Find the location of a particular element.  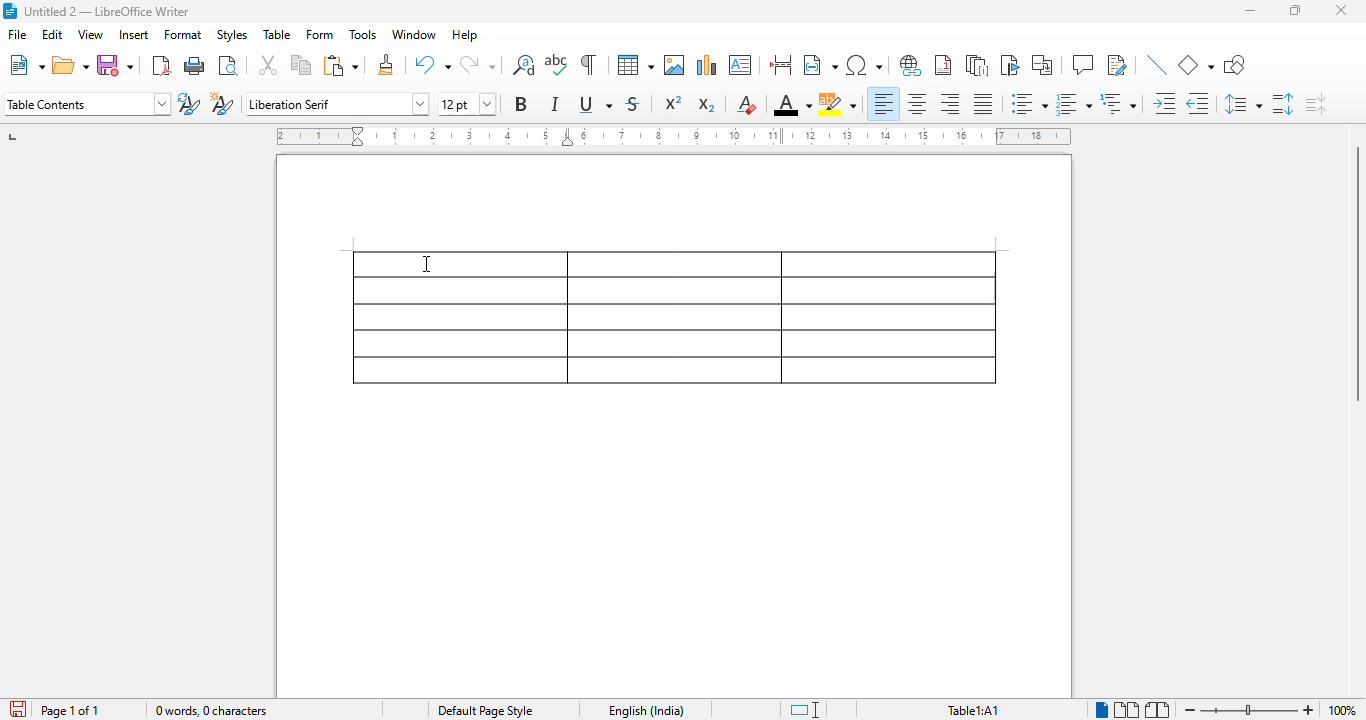

cut is located at coordinates (268, 64).